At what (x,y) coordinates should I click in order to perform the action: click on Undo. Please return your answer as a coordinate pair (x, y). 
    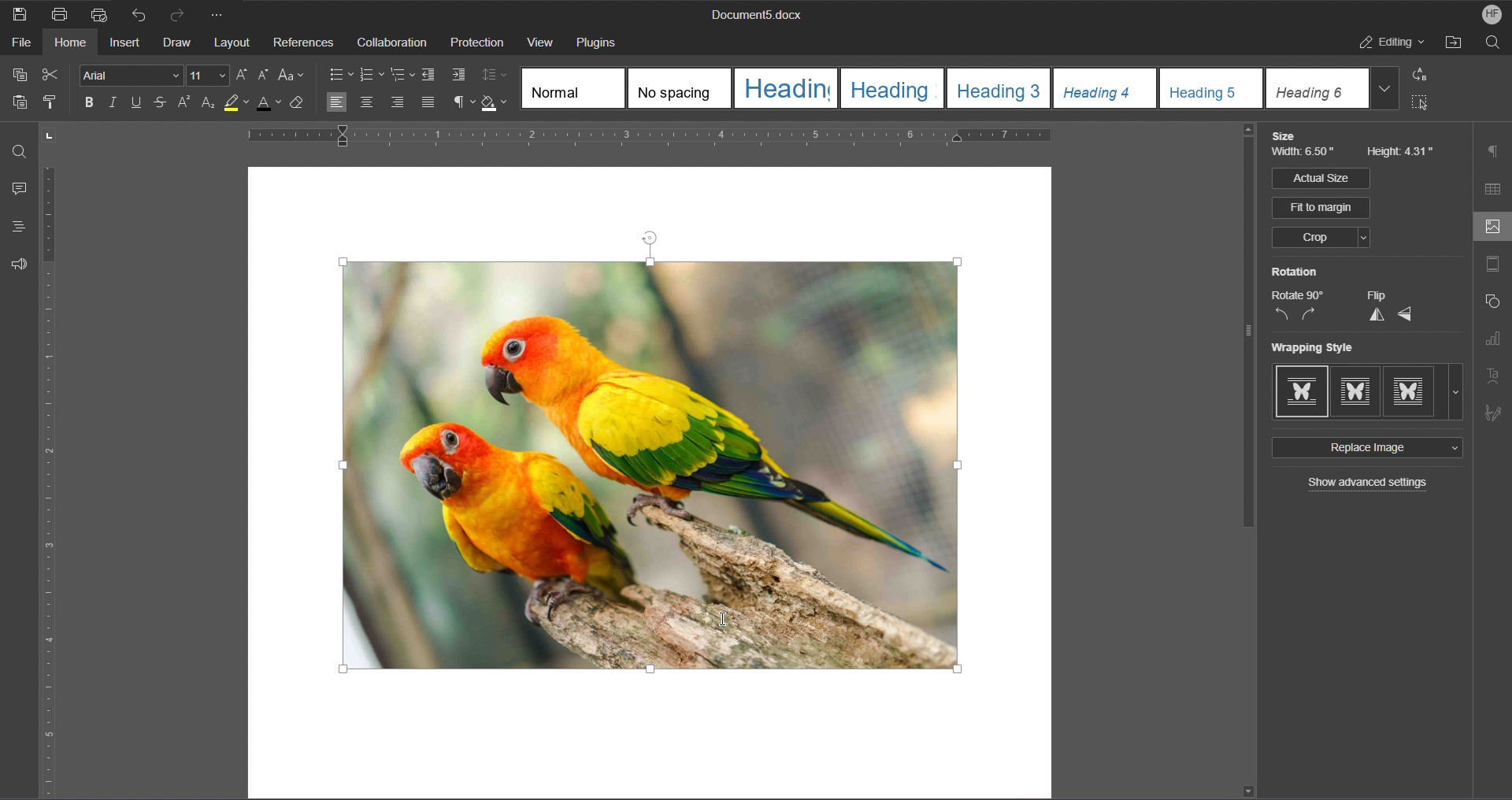
    Looking at the image, I should click on (139, 13).